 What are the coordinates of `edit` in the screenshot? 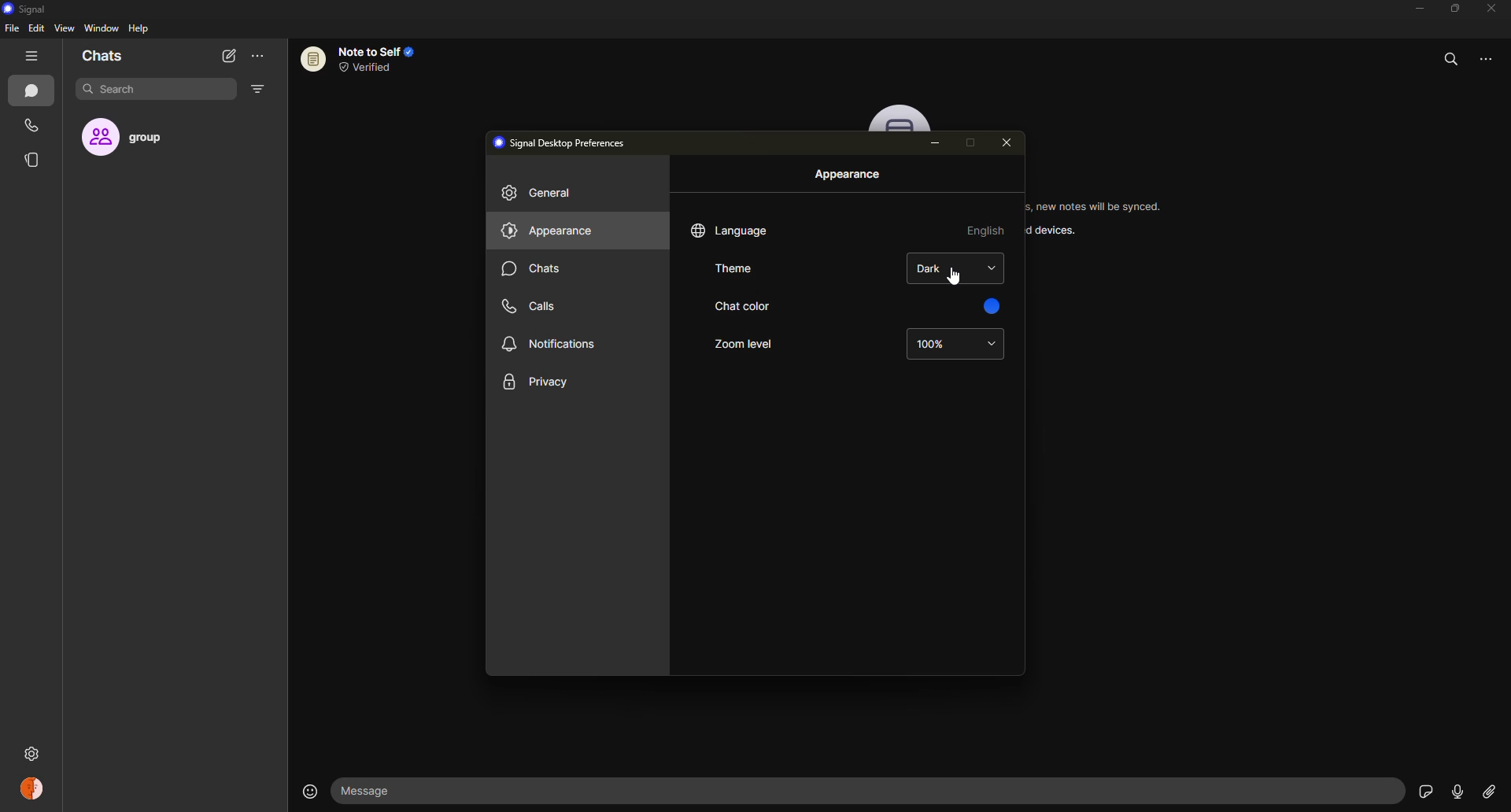 It's located at (36, 28).